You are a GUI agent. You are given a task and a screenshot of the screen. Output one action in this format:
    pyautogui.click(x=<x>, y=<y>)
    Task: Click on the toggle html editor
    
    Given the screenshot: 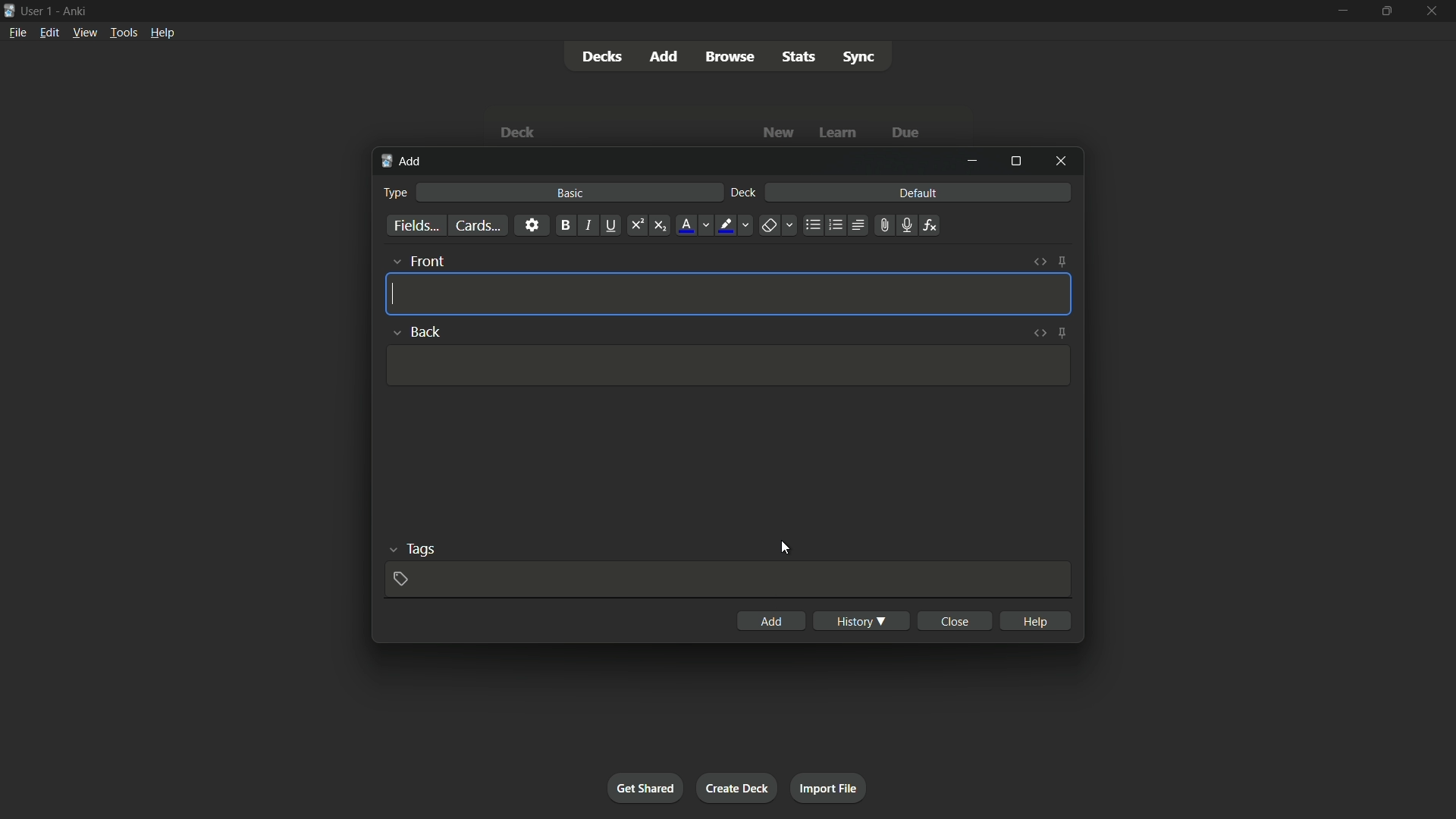 What is the action you would take?
    pyautogui.click(x=1040, y=262)
    